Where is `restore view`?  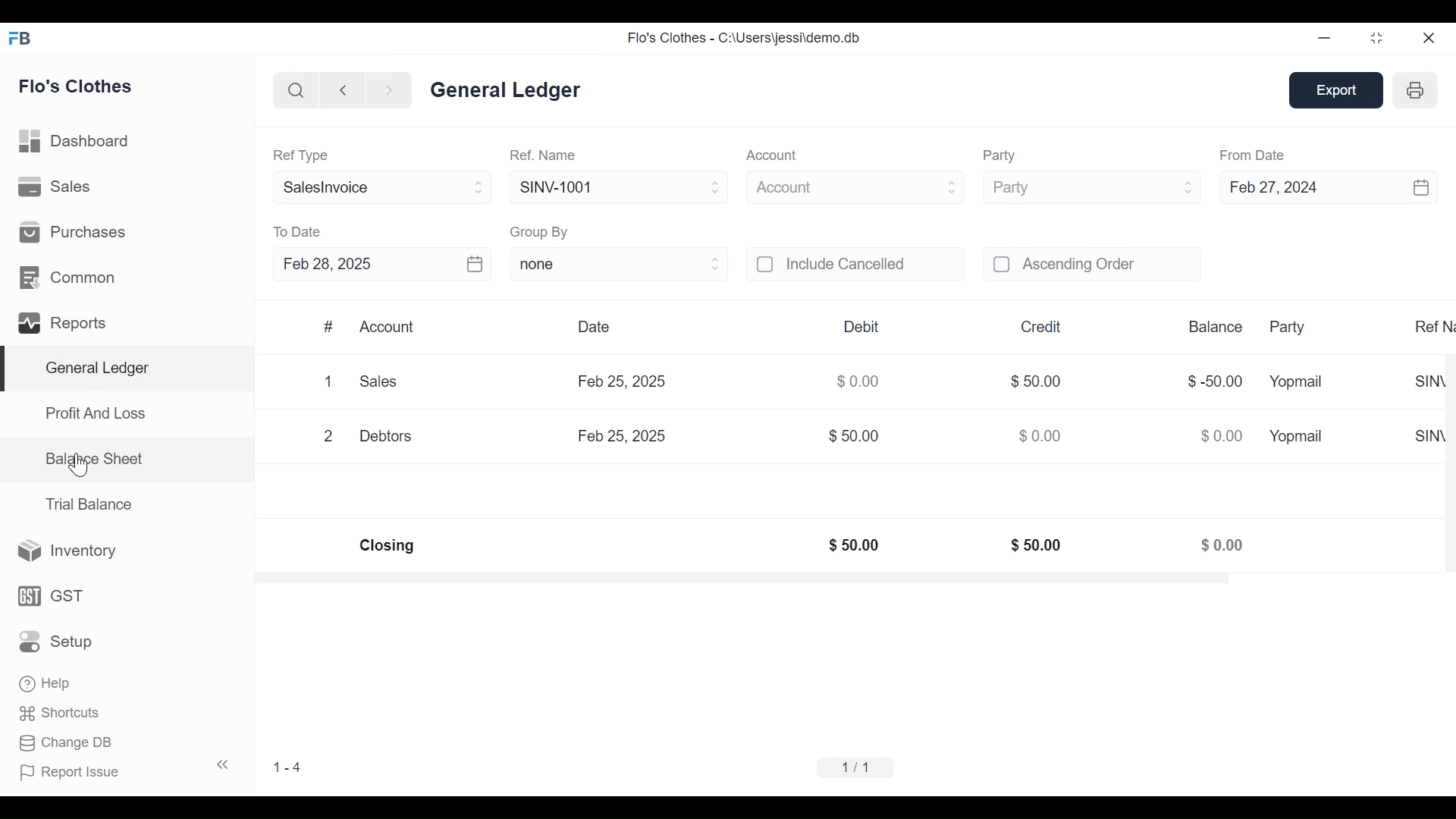 restore view is located at coordinates (1378, 39).